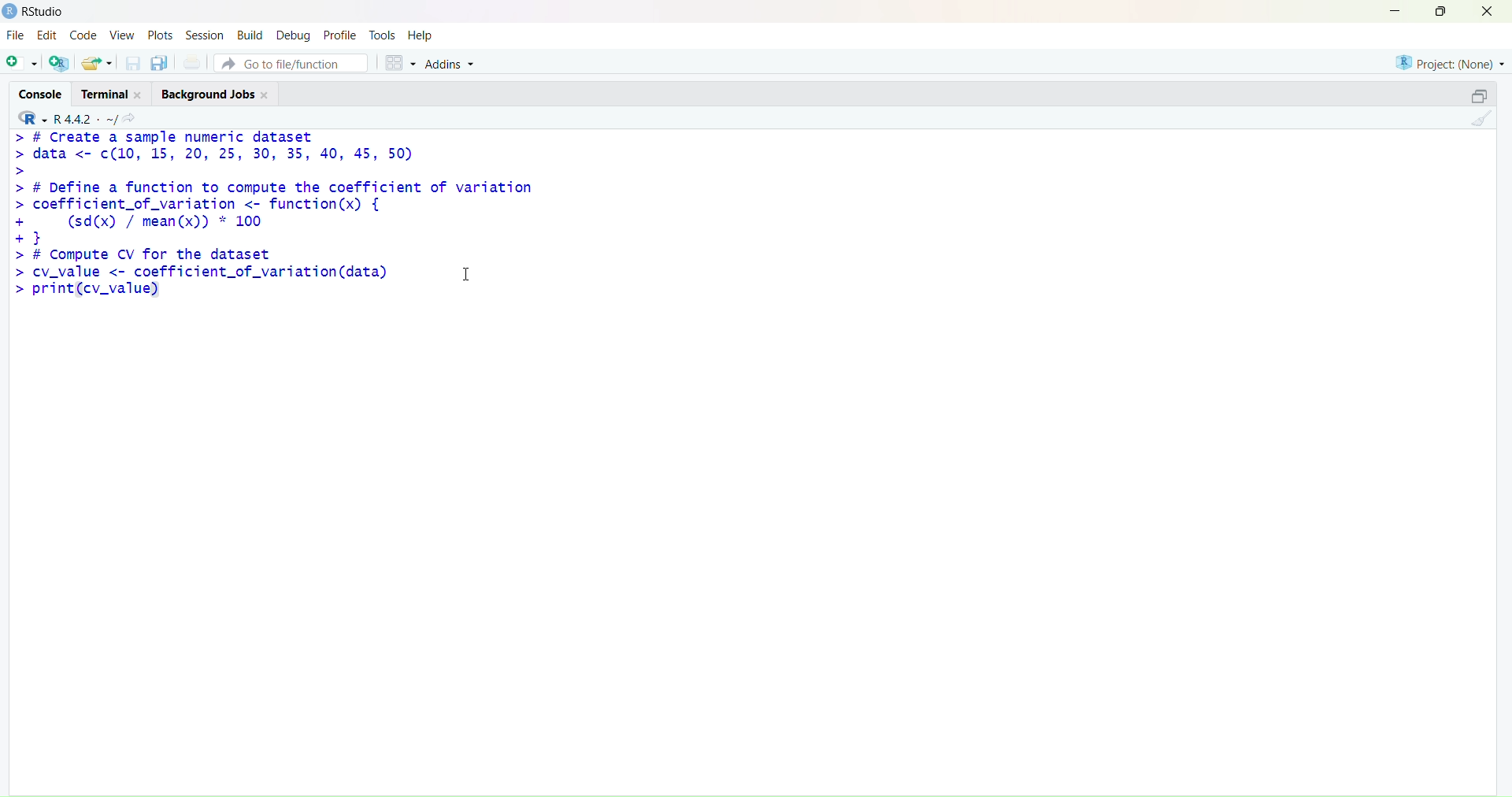 This screenshot has width=1512, height=797. I want to click on plots, so click(161, 35).